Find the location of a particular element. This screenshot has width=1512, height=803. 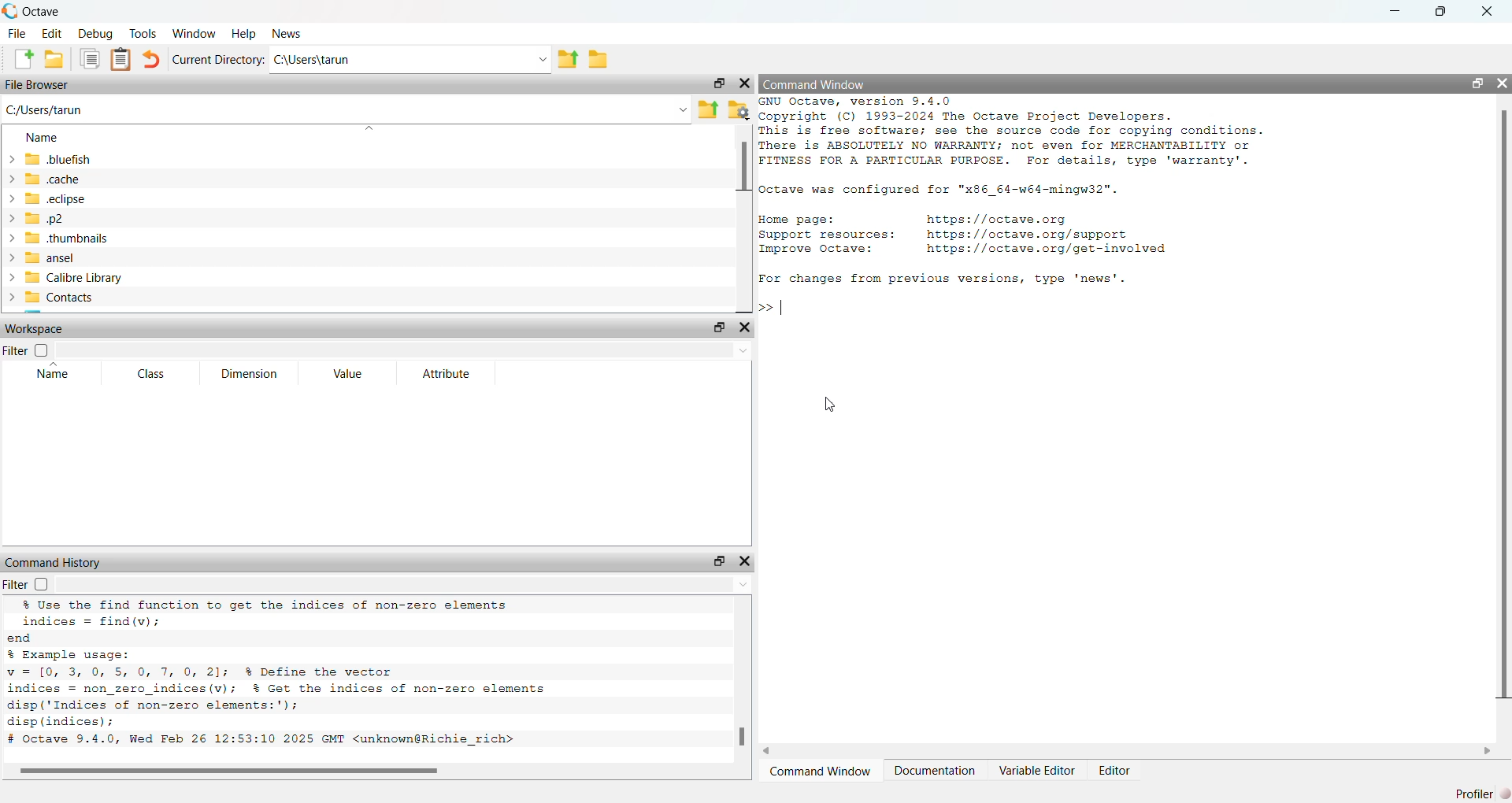

«cache is located at coordinates (42, 179).